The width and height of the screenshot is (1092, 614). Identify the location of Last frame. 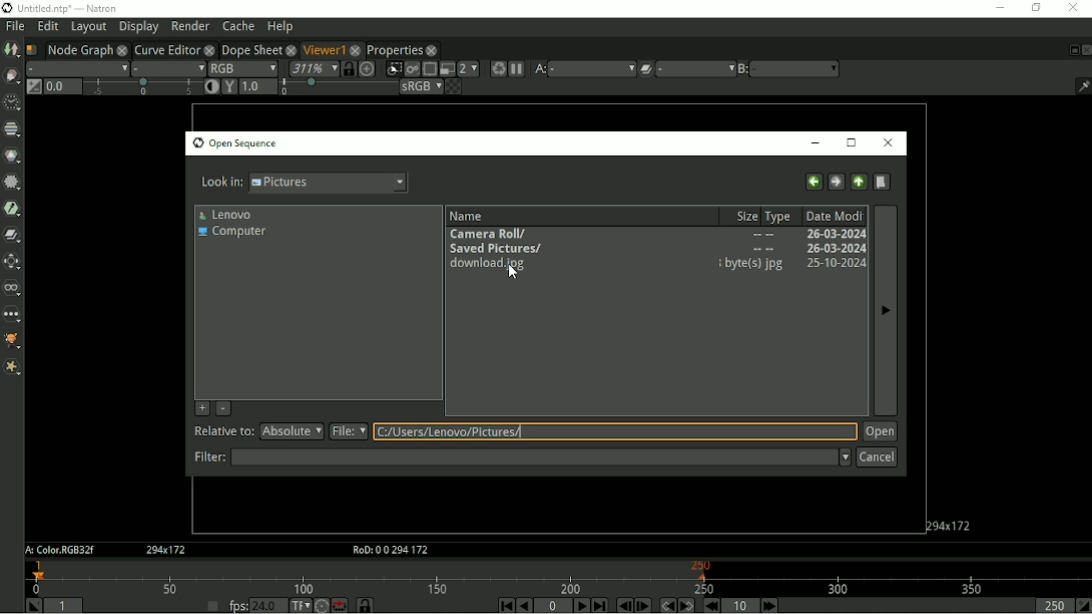
(600, 605).